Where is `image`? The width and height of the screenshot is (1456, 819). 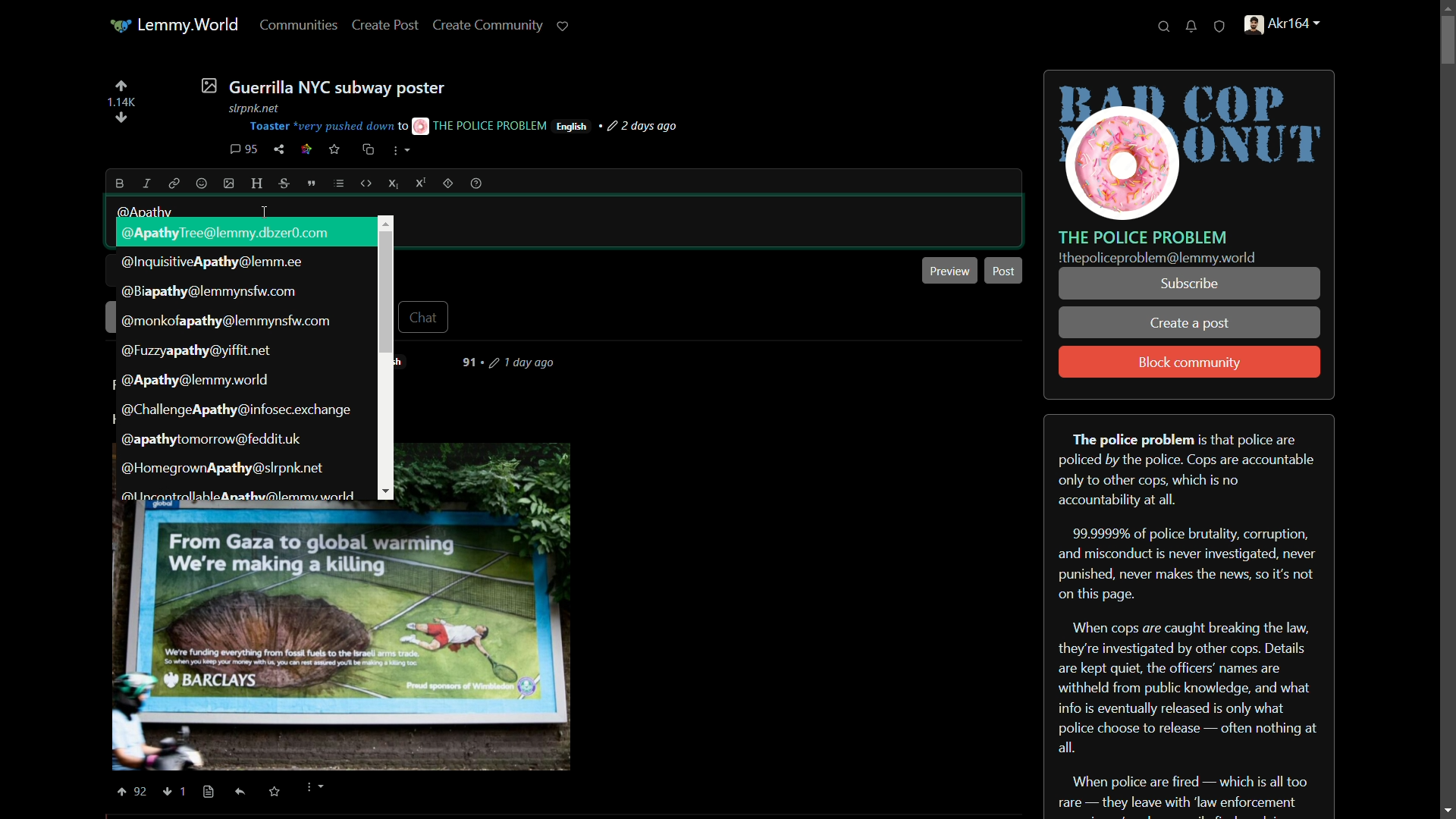 image is located at coordinates (230, 184).